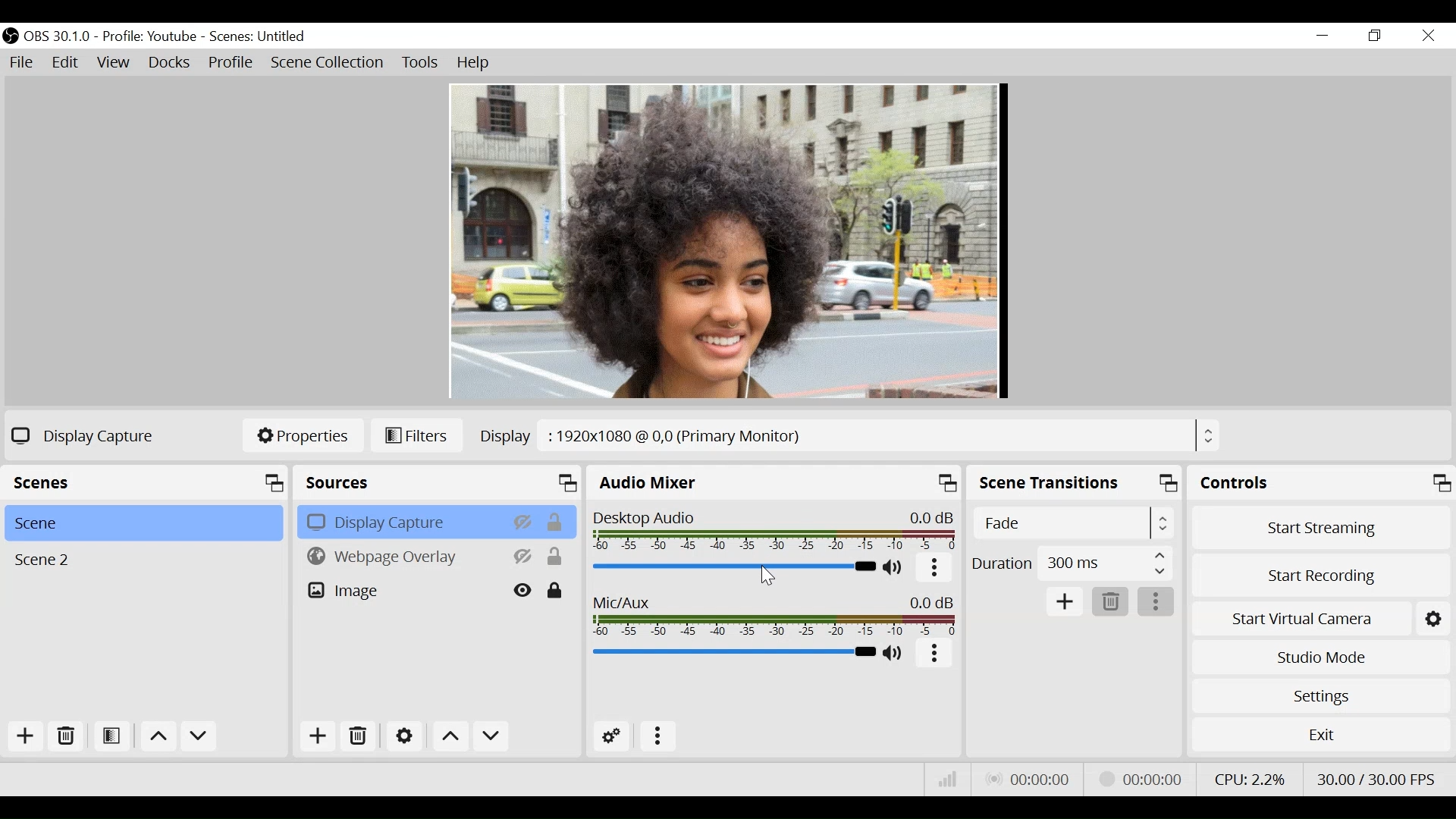 This screenshot has width=1456, height=819. Describe the element at coordinates (848, 436) in the screenshot. I see `Display Browse` at that location.